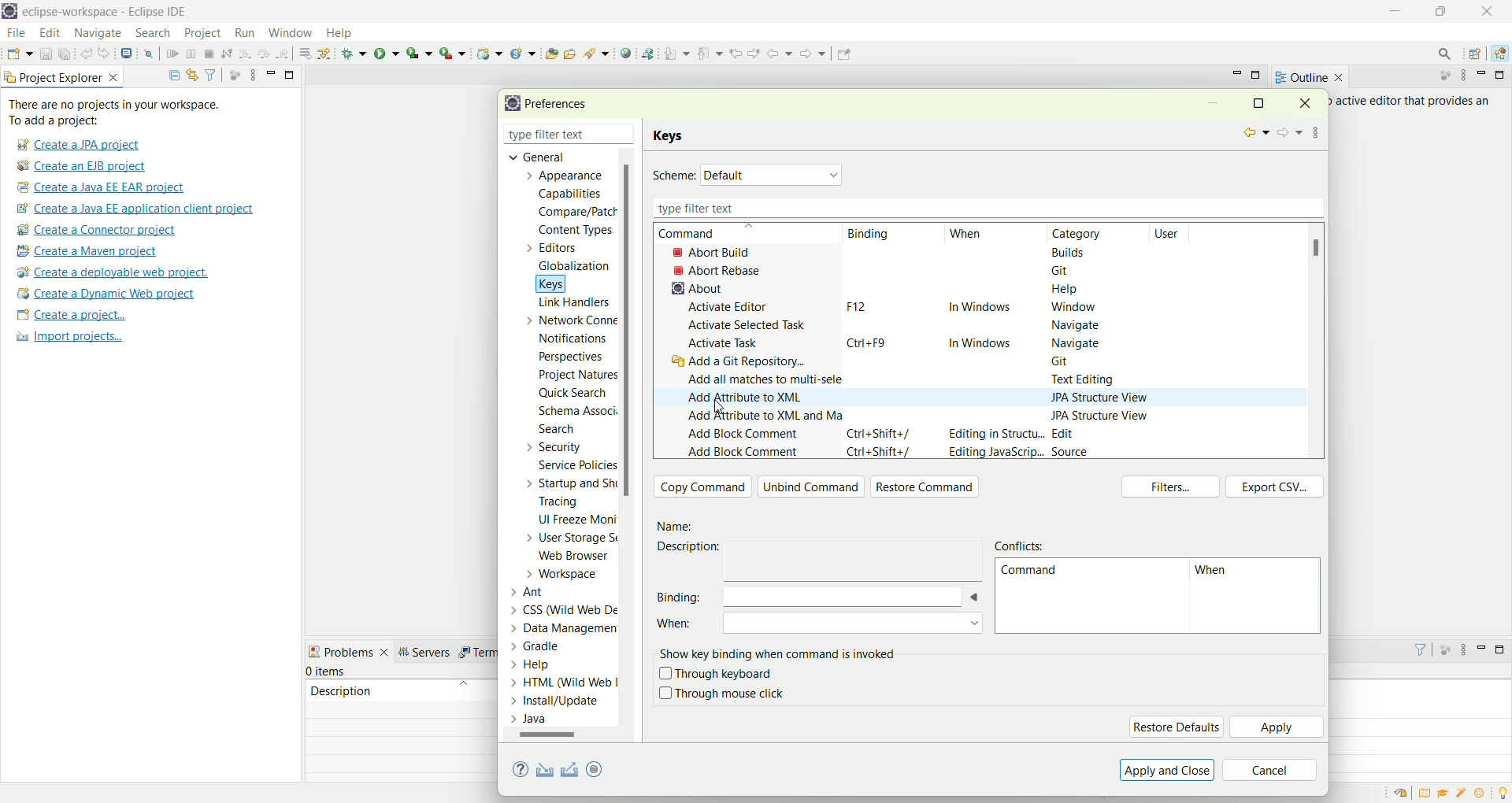 The height and width of the screenshot is (803, 1512). Describe the element at coordinates (118, 113) in the screenshot. I see `There are no projects in your workspace. To add a project:` at that location.